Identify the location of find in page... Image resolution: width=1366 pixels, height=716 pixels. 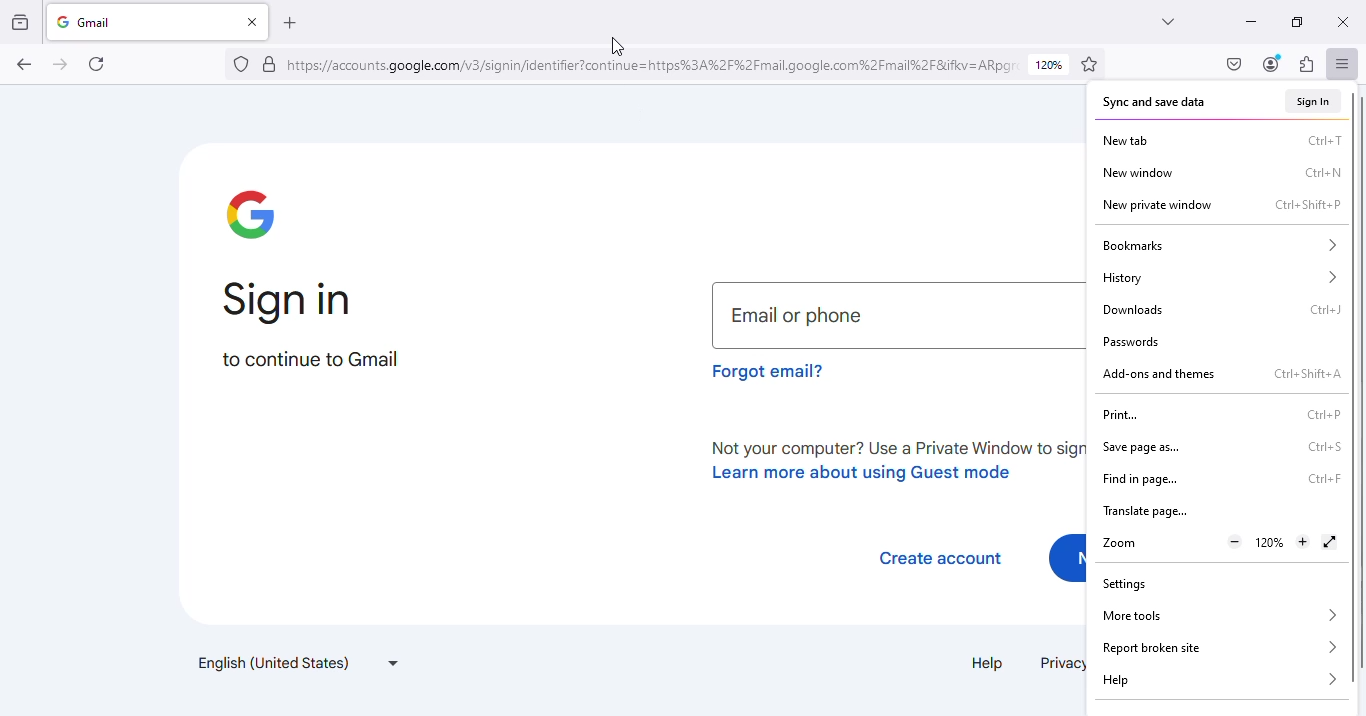
(1141, 480).